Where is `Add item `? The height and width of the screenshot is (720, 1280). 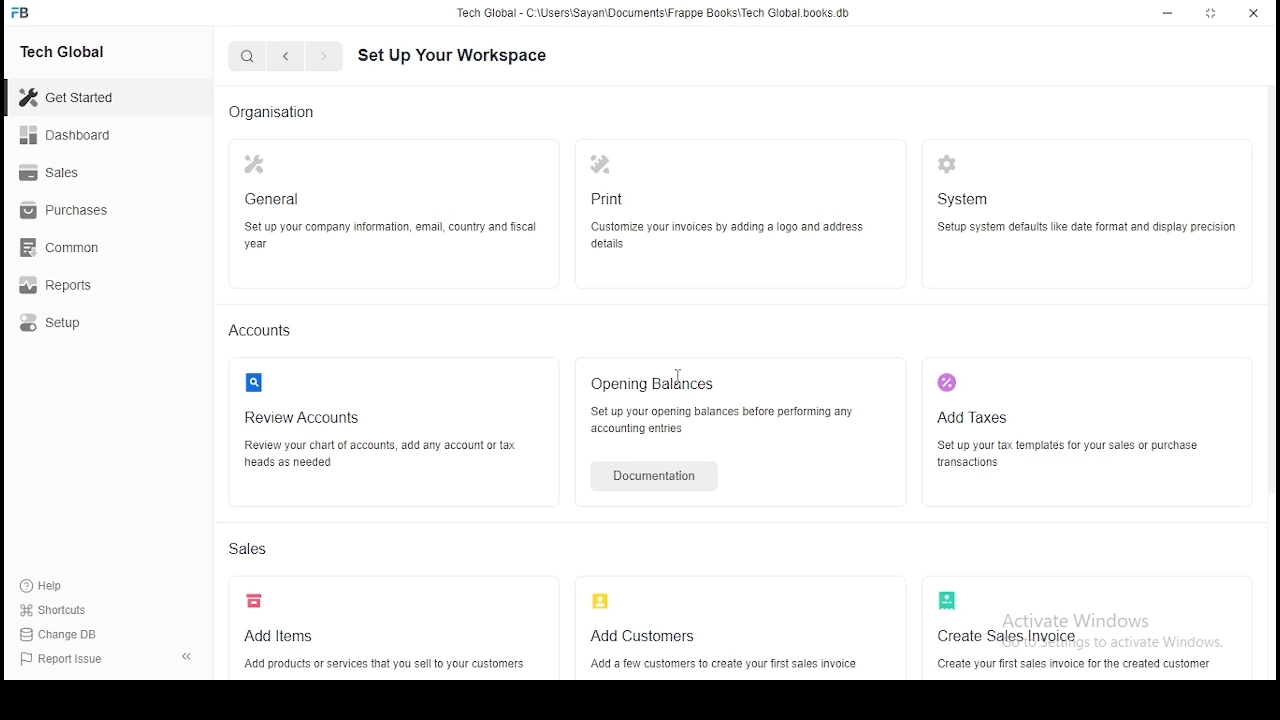
Add item  is located at coordinates (391, 633).